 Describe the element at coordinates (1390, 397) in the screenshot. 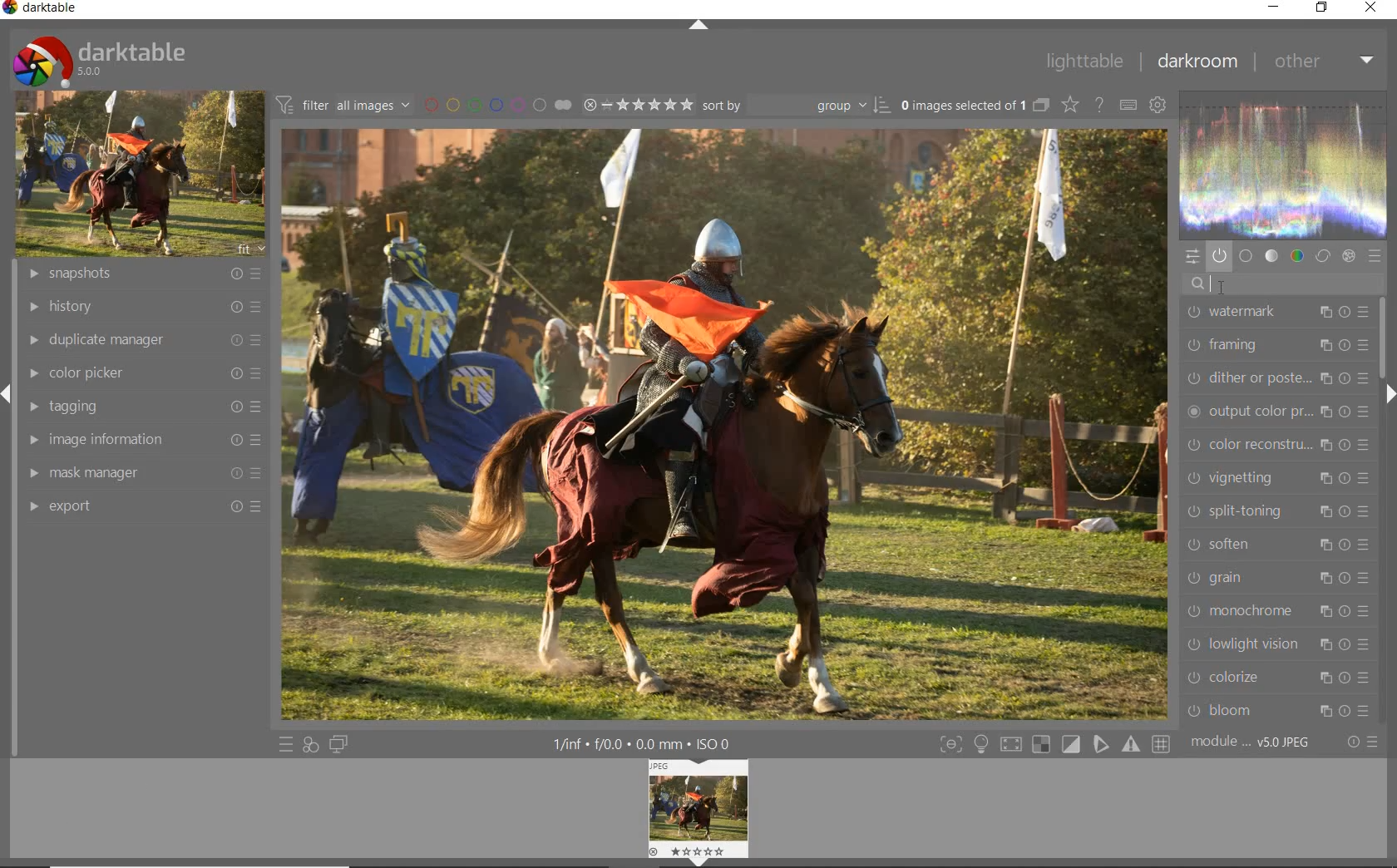

I see `expand/collapse` at that location.